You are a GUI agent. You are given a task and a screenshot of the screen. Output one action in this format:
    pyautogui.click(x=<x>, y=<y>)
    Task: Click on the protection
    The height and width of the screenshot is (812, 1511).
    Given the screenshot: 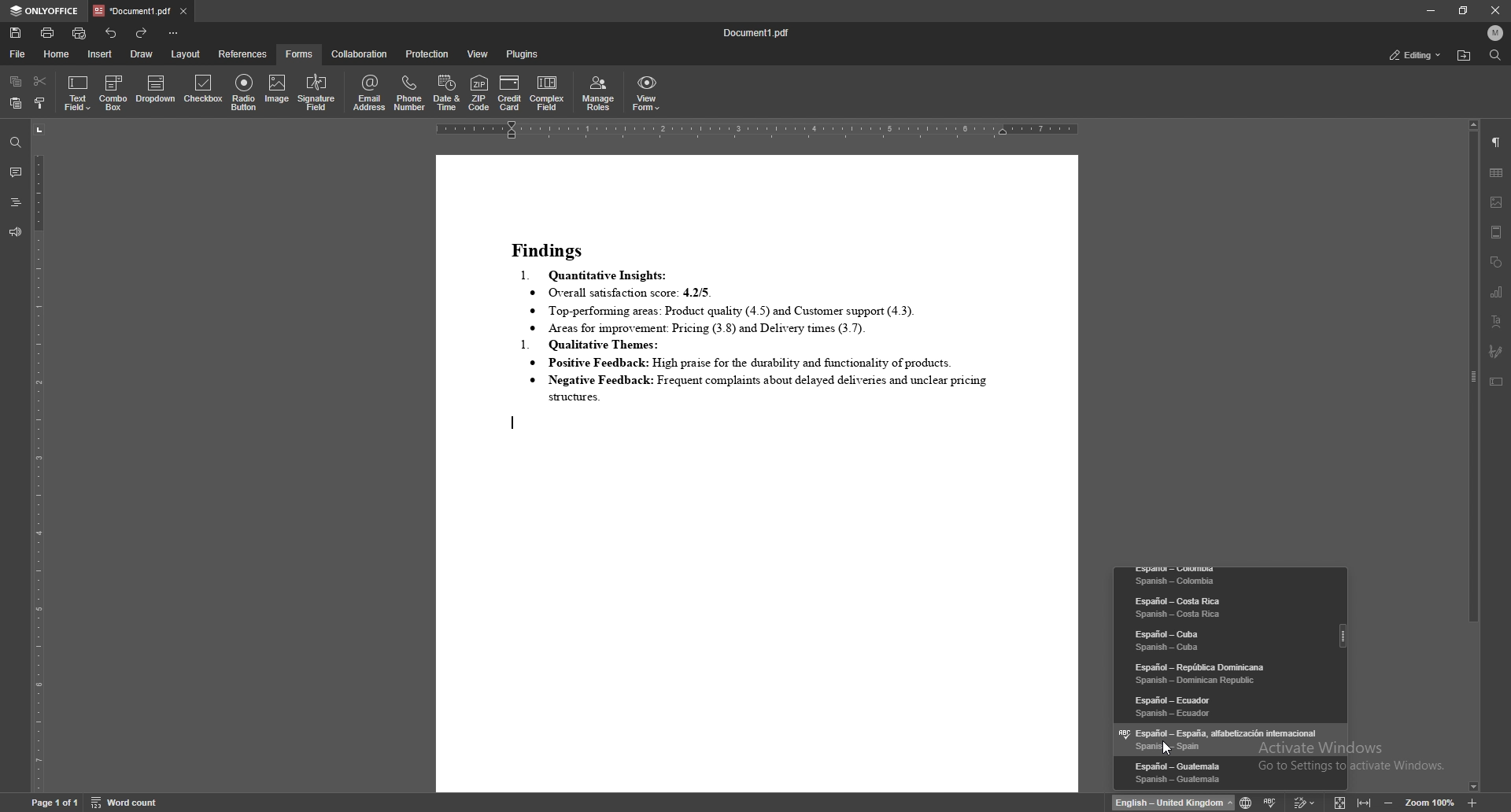 What is the action you would take?
    pyautogui.click(x=427, y=54)
    